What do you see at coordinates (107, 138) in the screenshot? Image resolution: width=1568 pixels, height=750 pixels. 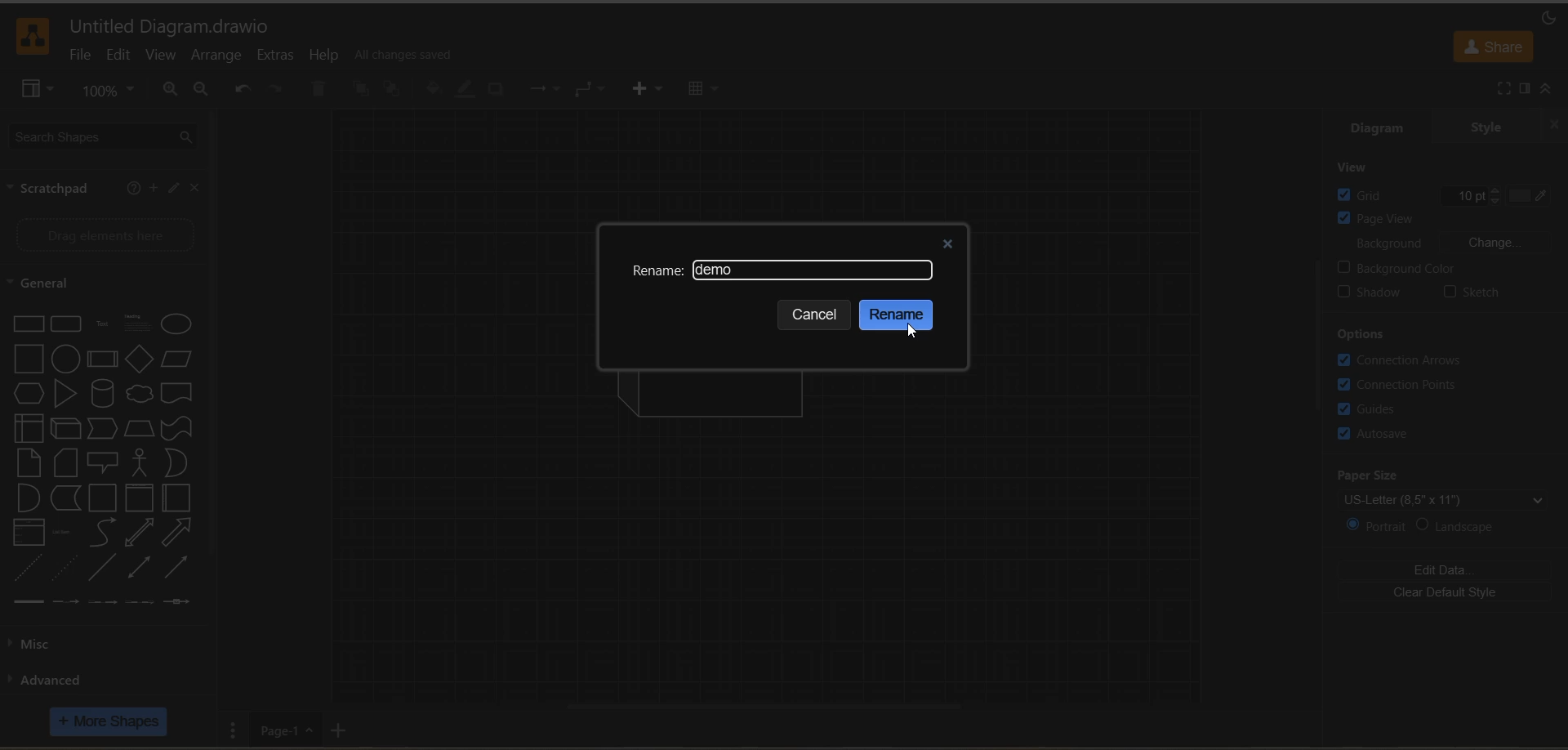 I see `search shapes` at bounding box center [107, 138].